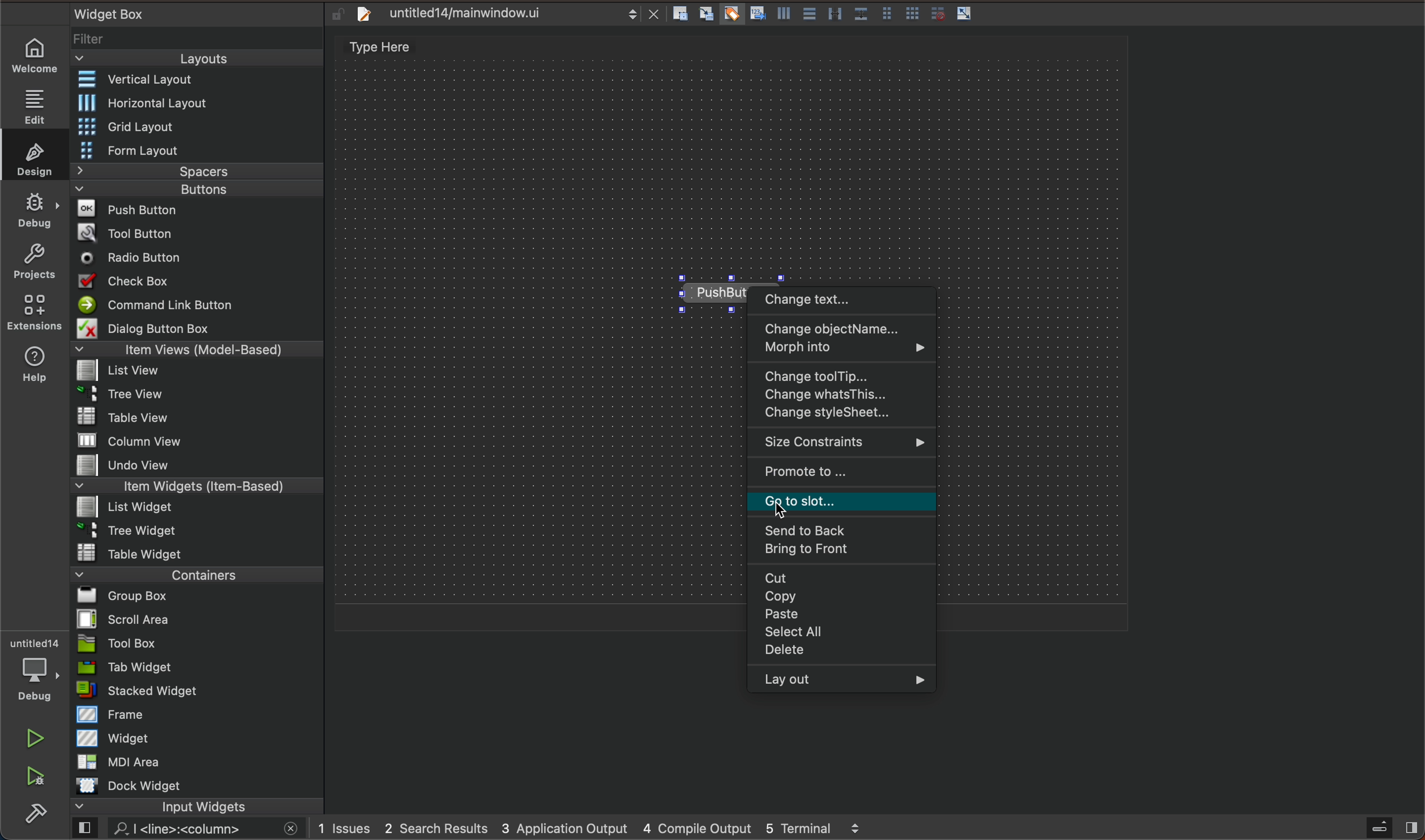 Image resolution: width=1425 pixels, height=840 pixels. I want to click on vertical layout, so click(198, 82).